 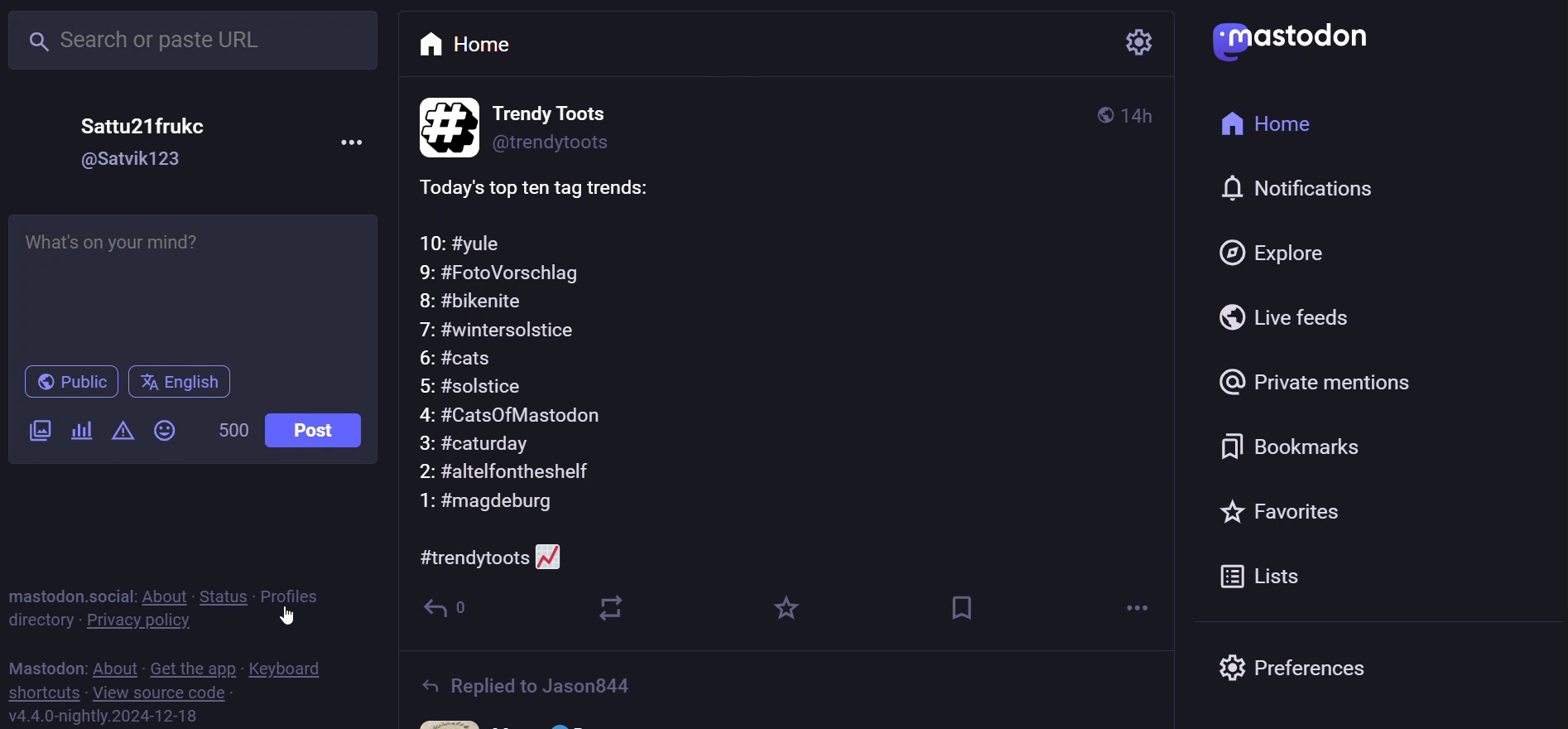 What do you see at coordinates (614, 611) in the screenshot?
I see `boost` at bounding box center [614, 611].